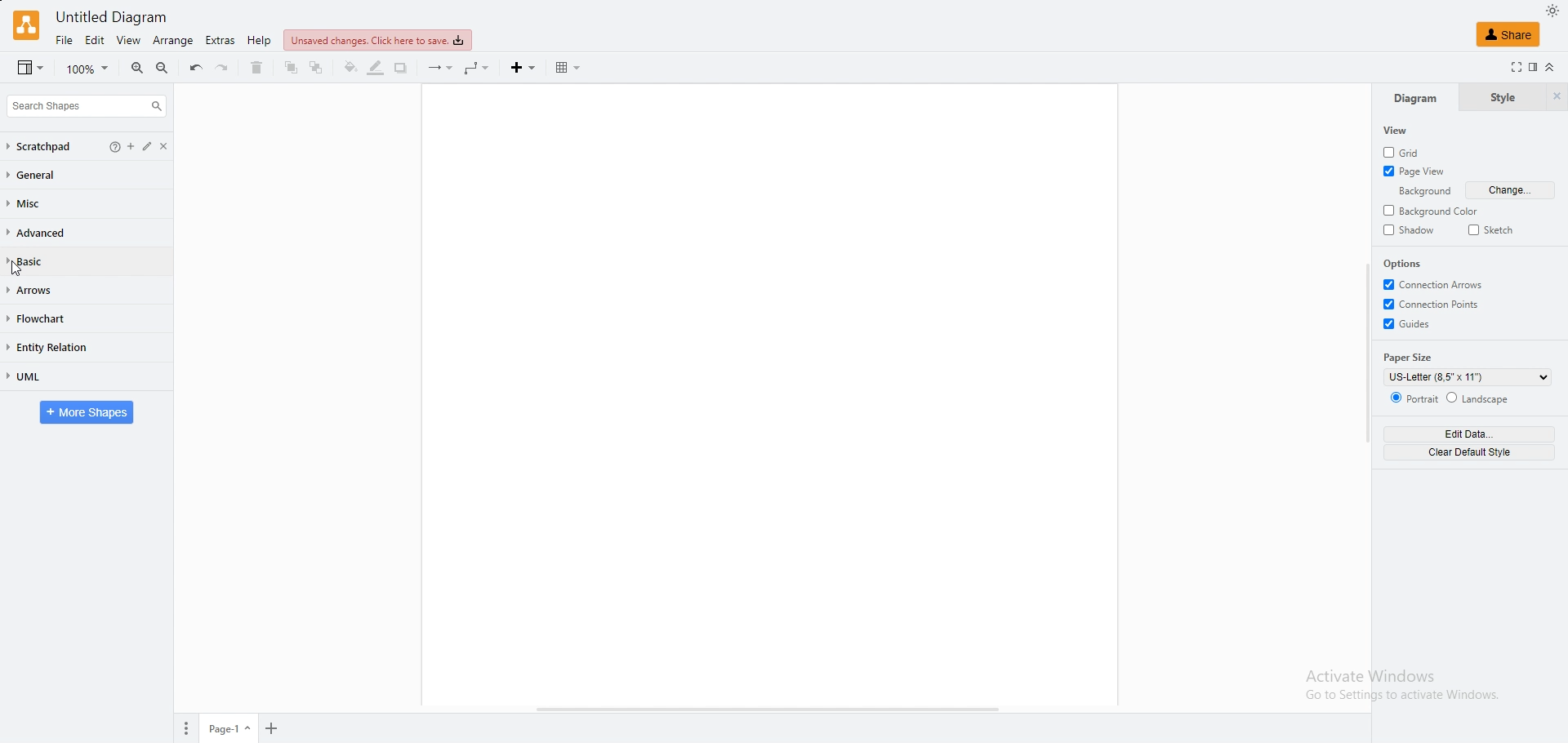  Describe the element at coordinates (16, 269) in the screenshot. I see `cursor` at that location.